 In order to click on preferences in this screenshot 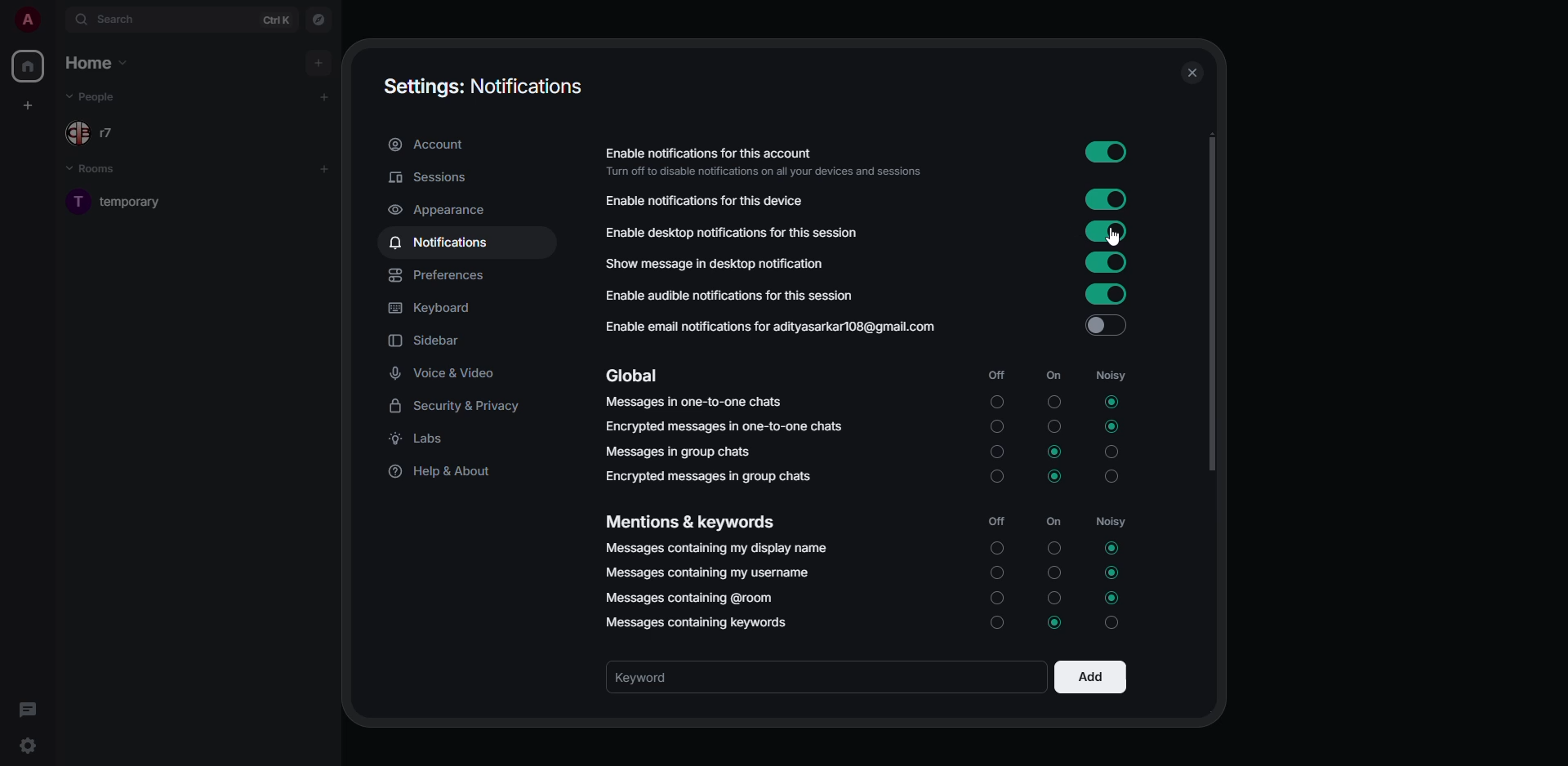, I will do `click(439, 276)`.